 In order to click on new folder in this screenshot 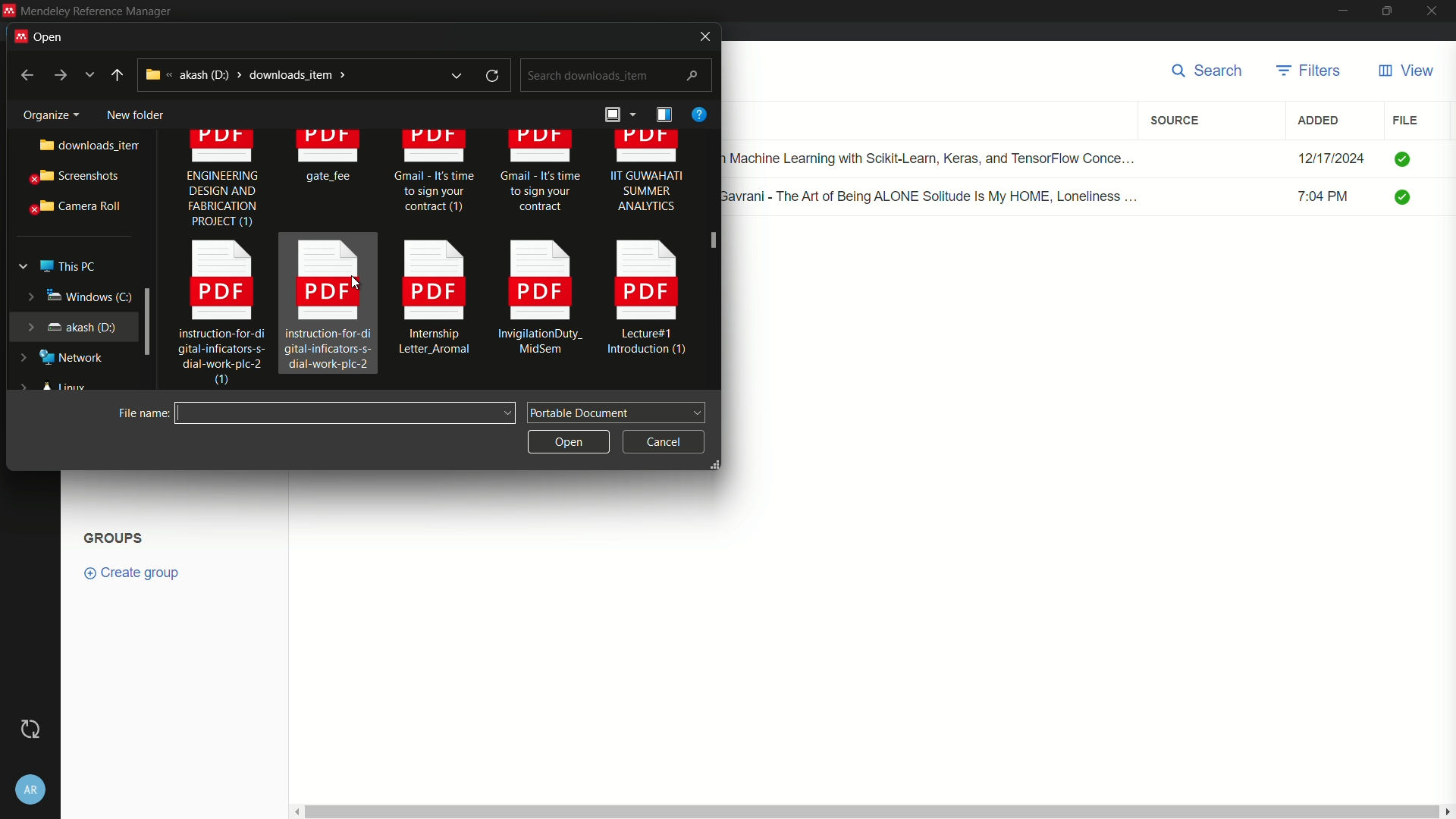, I will do `click(134, 111)`.